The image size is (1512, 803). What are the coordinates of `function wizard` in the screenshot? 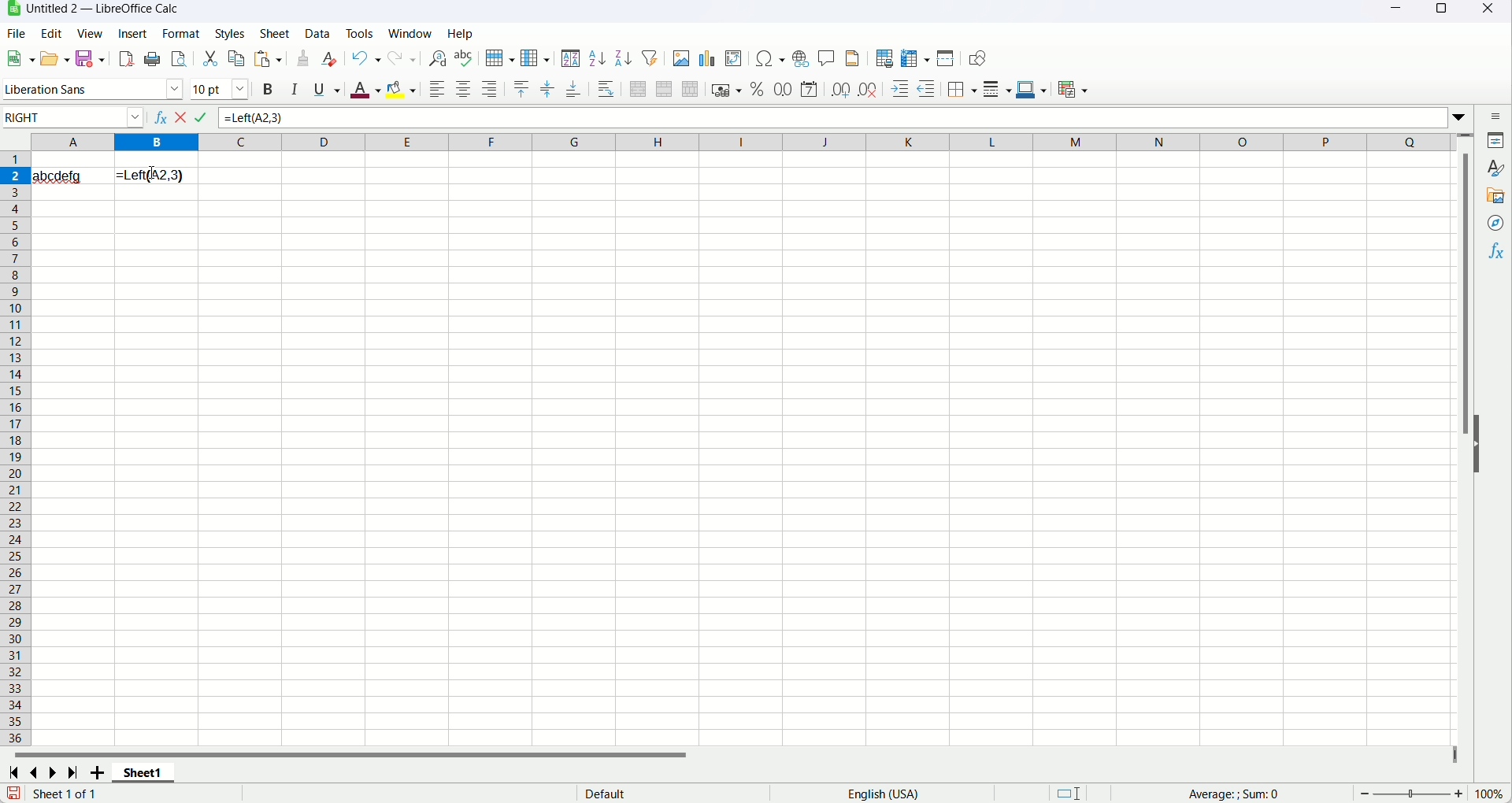 It's located at (160, 117).